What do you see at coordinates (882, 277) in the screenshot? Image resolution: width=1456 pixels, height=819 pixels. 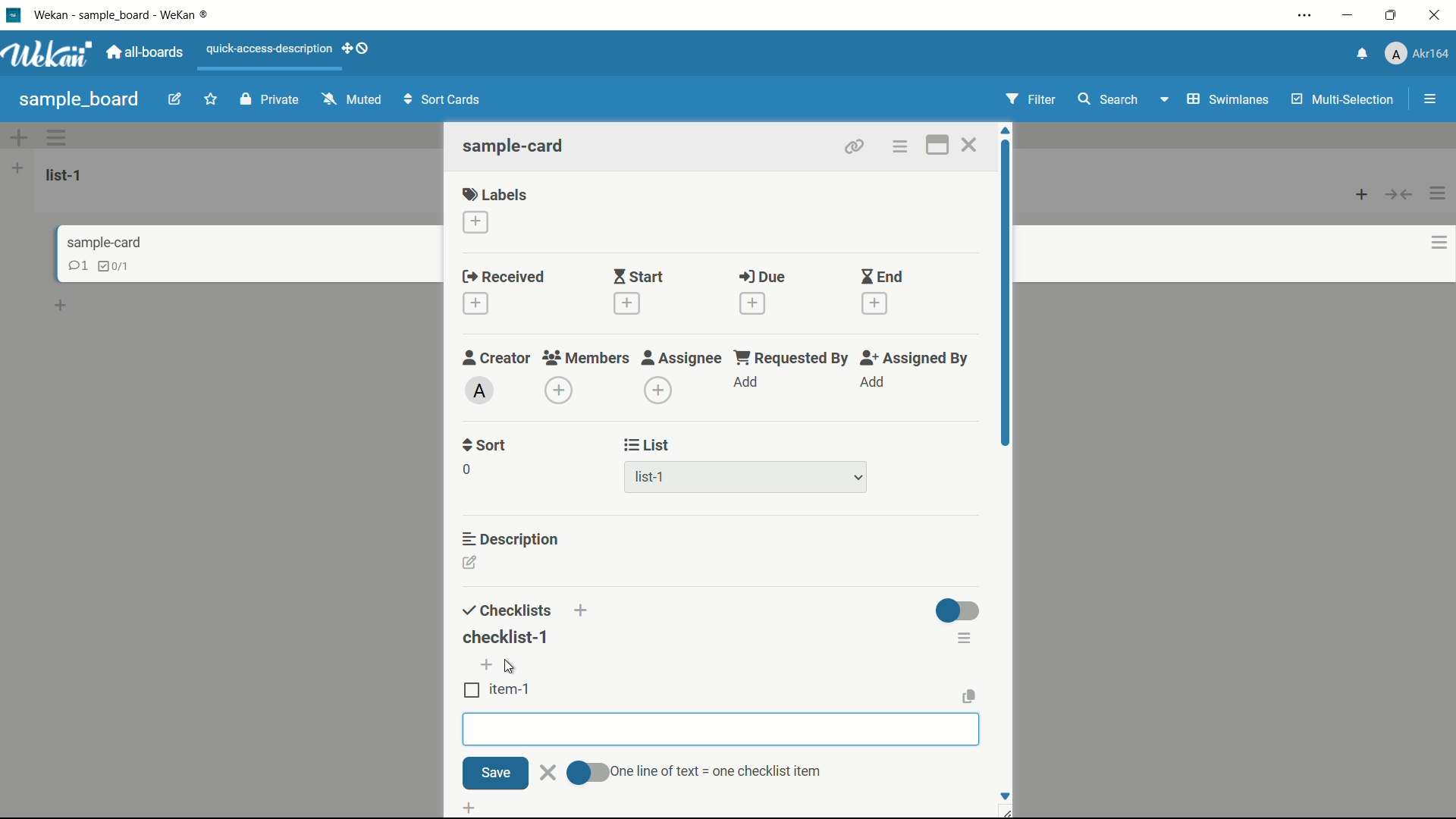 I see `end` at bounding box center [882, 277].